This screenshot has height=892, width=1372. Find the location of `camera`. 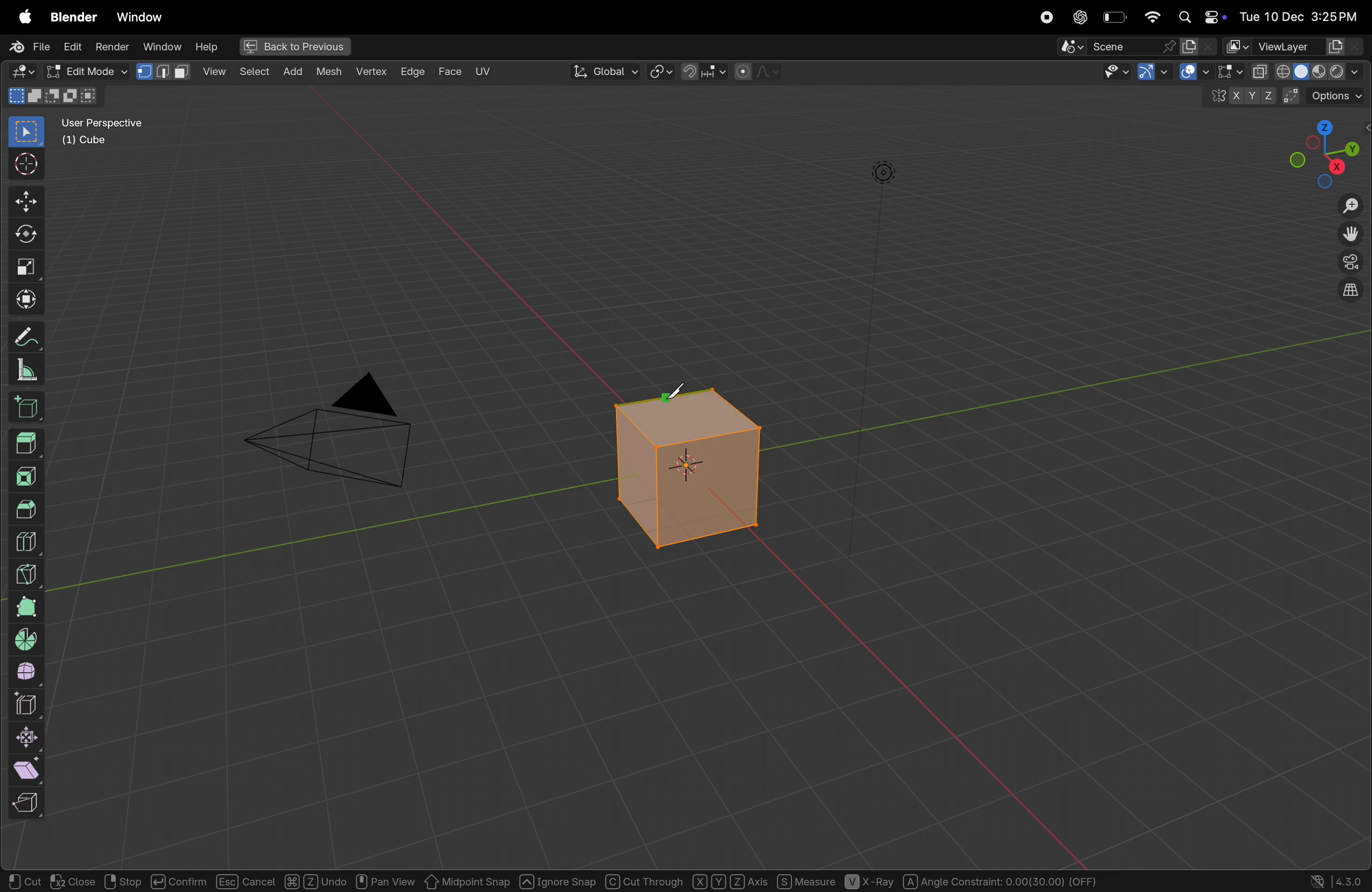

camera is located at coordinates (341, 438).